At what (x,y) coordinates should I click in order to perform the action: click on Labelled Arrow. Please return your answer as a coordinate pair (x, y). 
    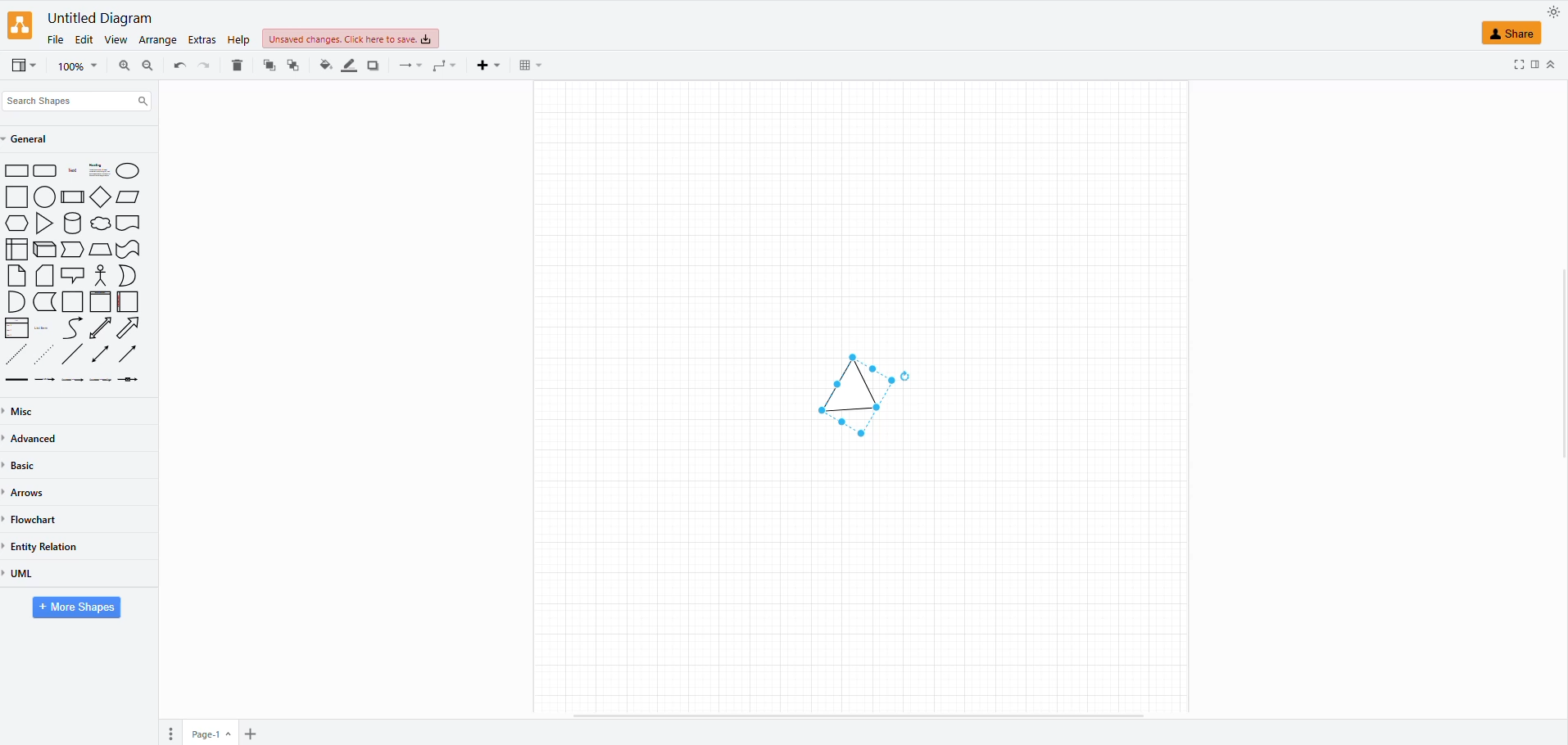
    Looking at the image, I should click on (101, 380).